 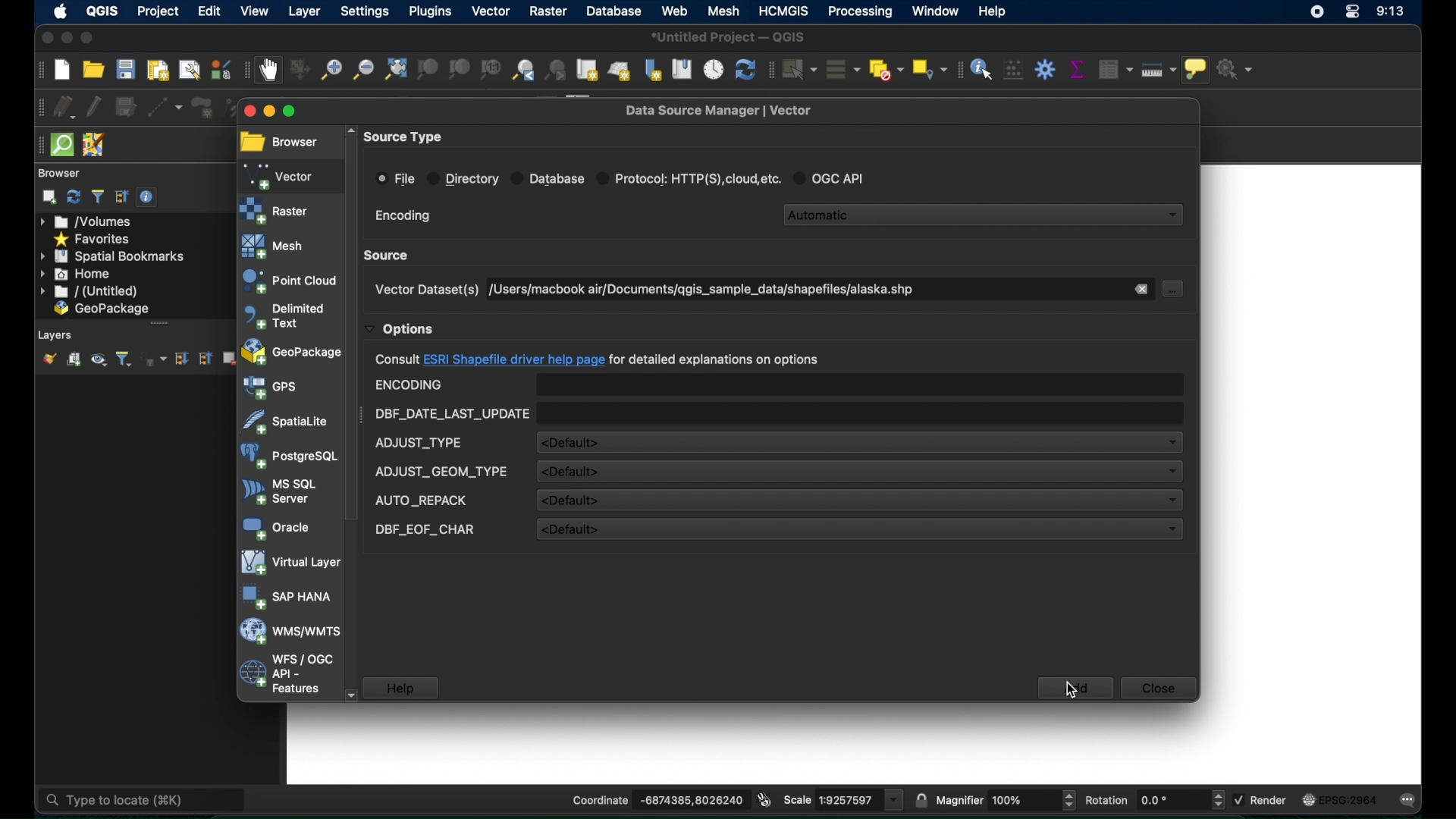 I want to click on scroll bar, so click(x=155, y=324).